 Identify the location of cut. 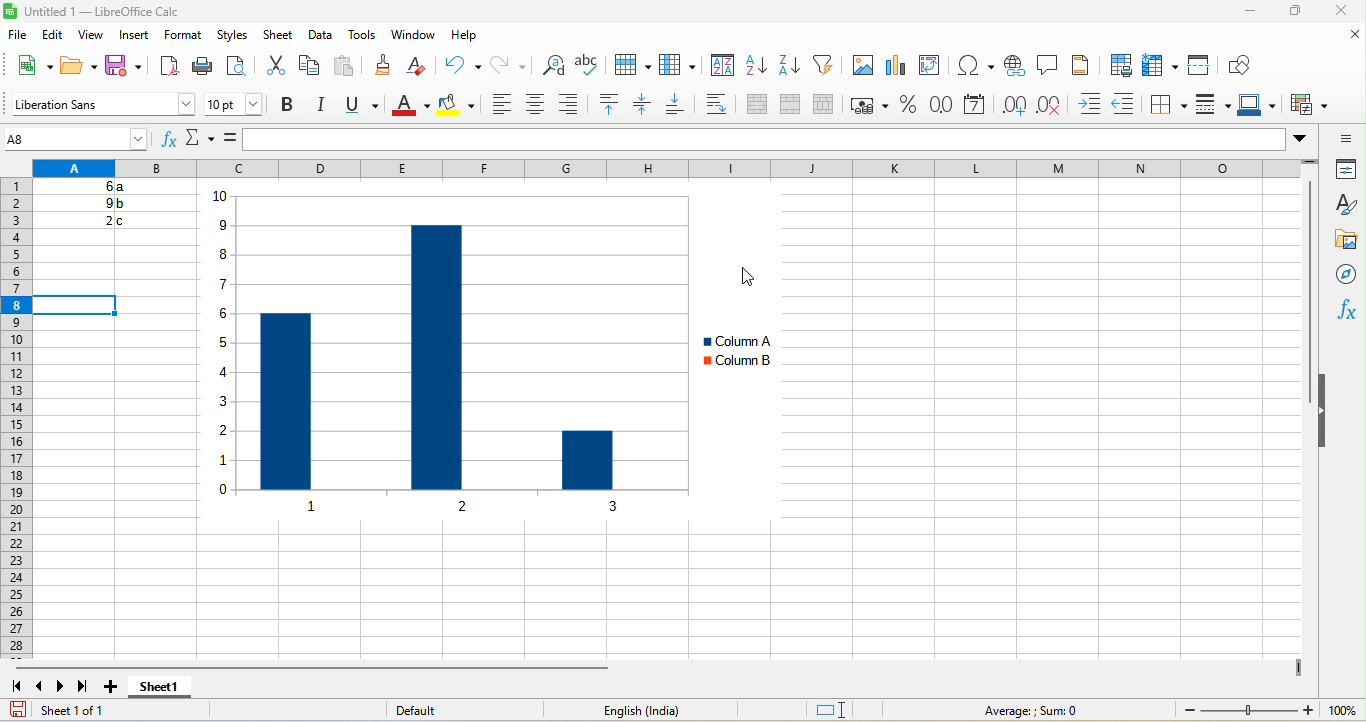
(274, 67).